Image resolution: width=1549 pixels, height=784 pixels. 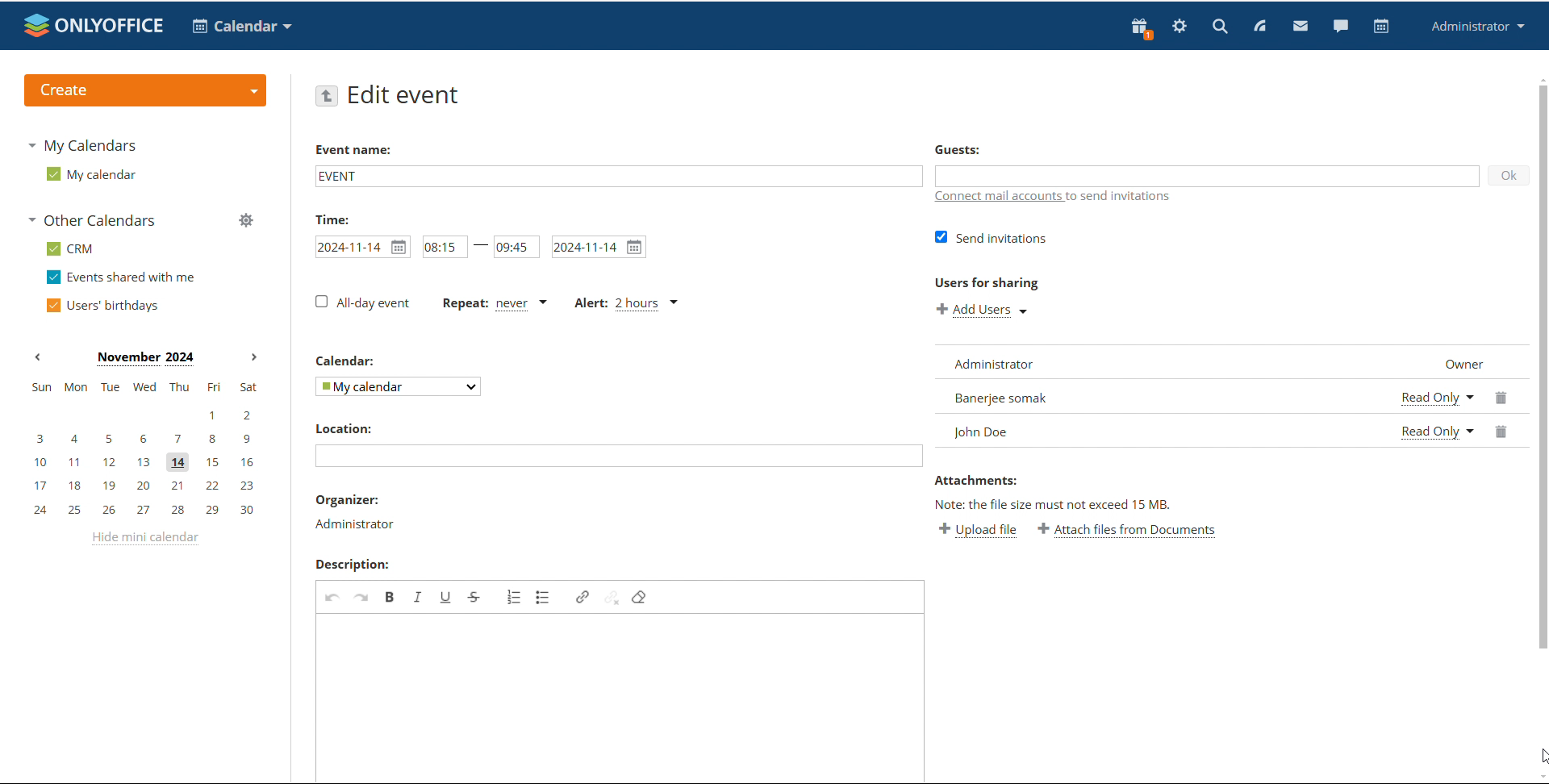 I want to click on cursor, so click(x=1539, y=755).